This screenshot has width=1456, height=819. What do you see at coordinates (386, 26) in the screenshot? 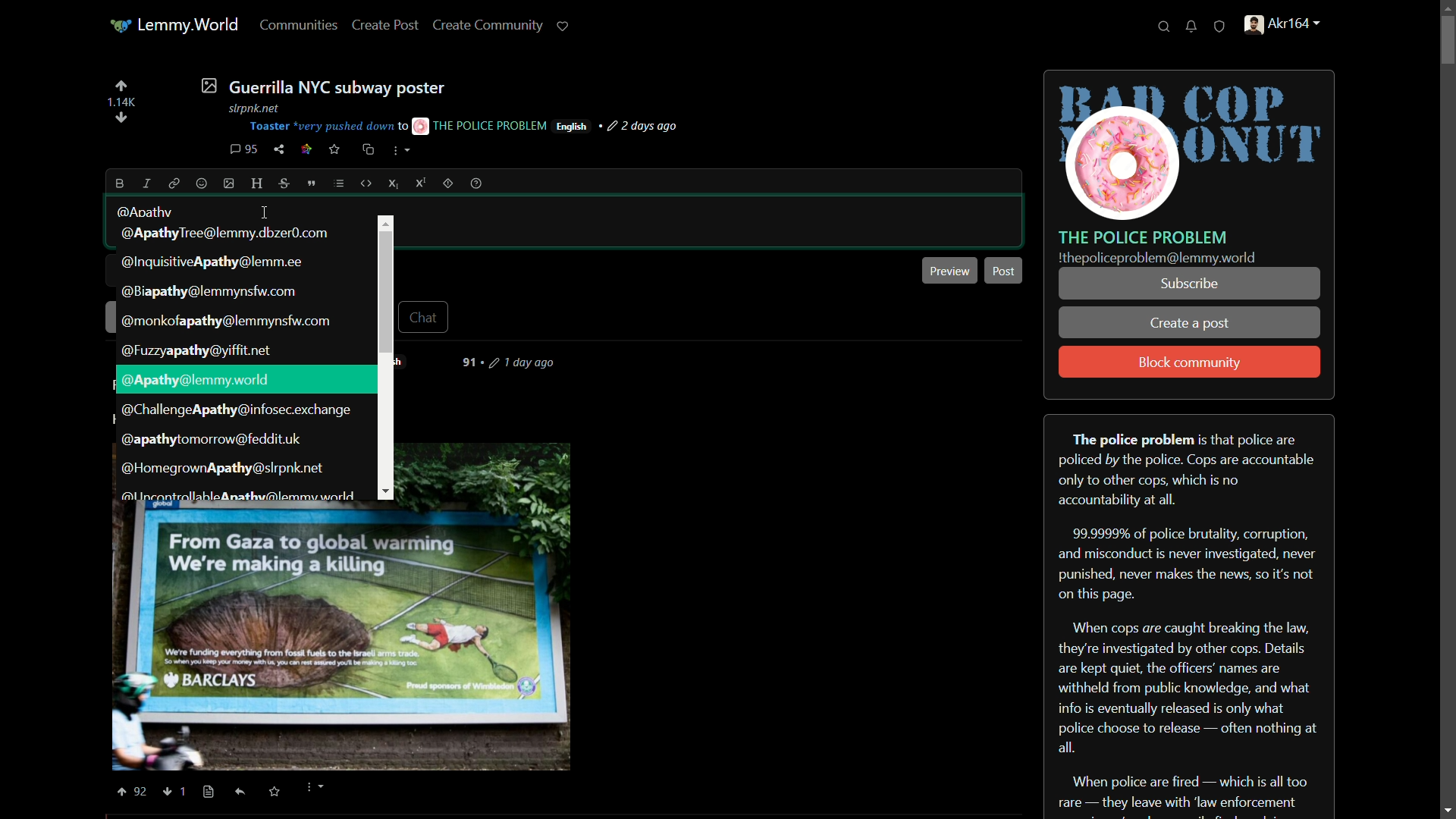
I see `create post ` at bounding box center [386, 26].